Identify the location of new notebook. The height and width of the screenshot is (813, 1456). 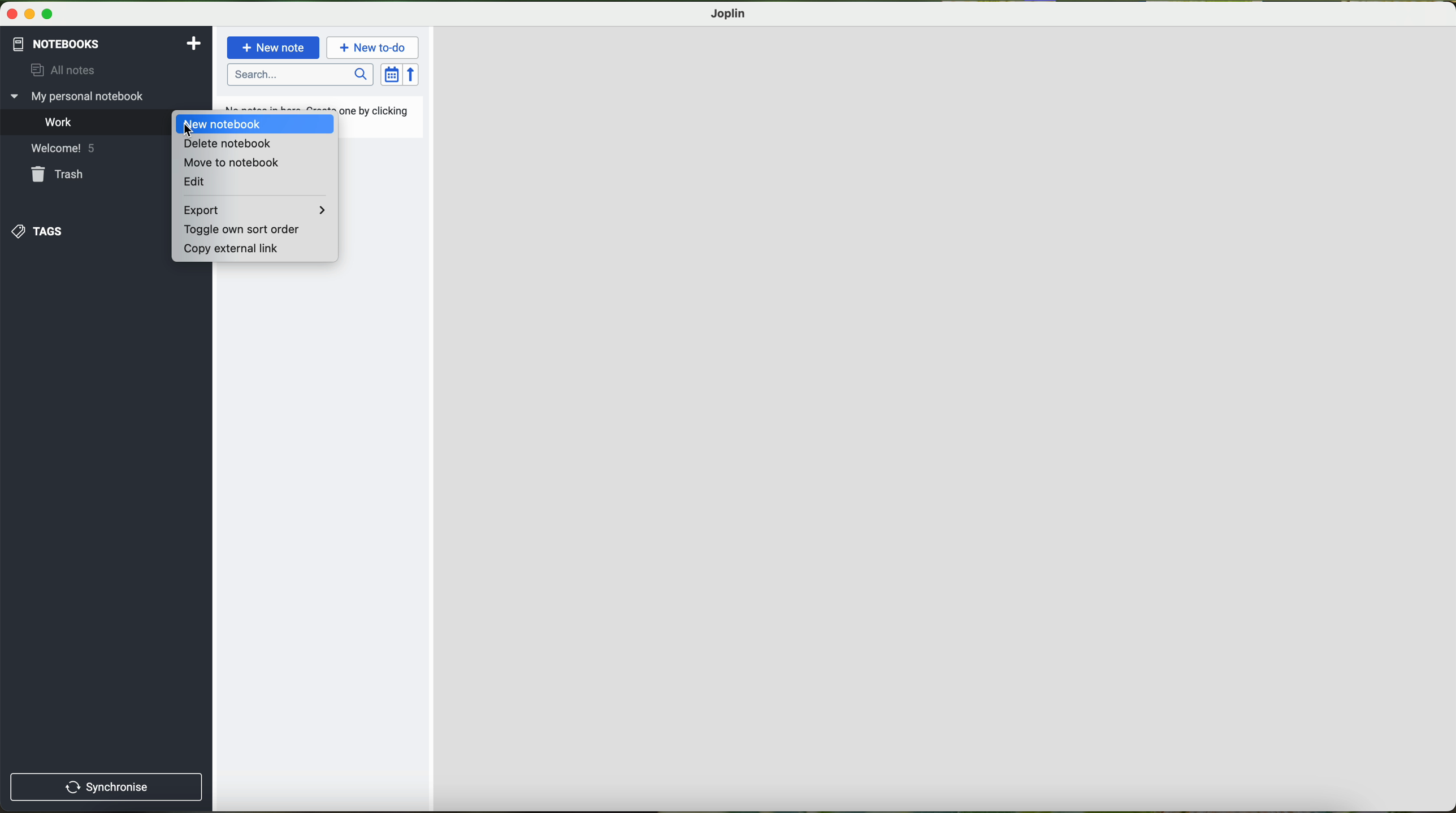
(223, 124).